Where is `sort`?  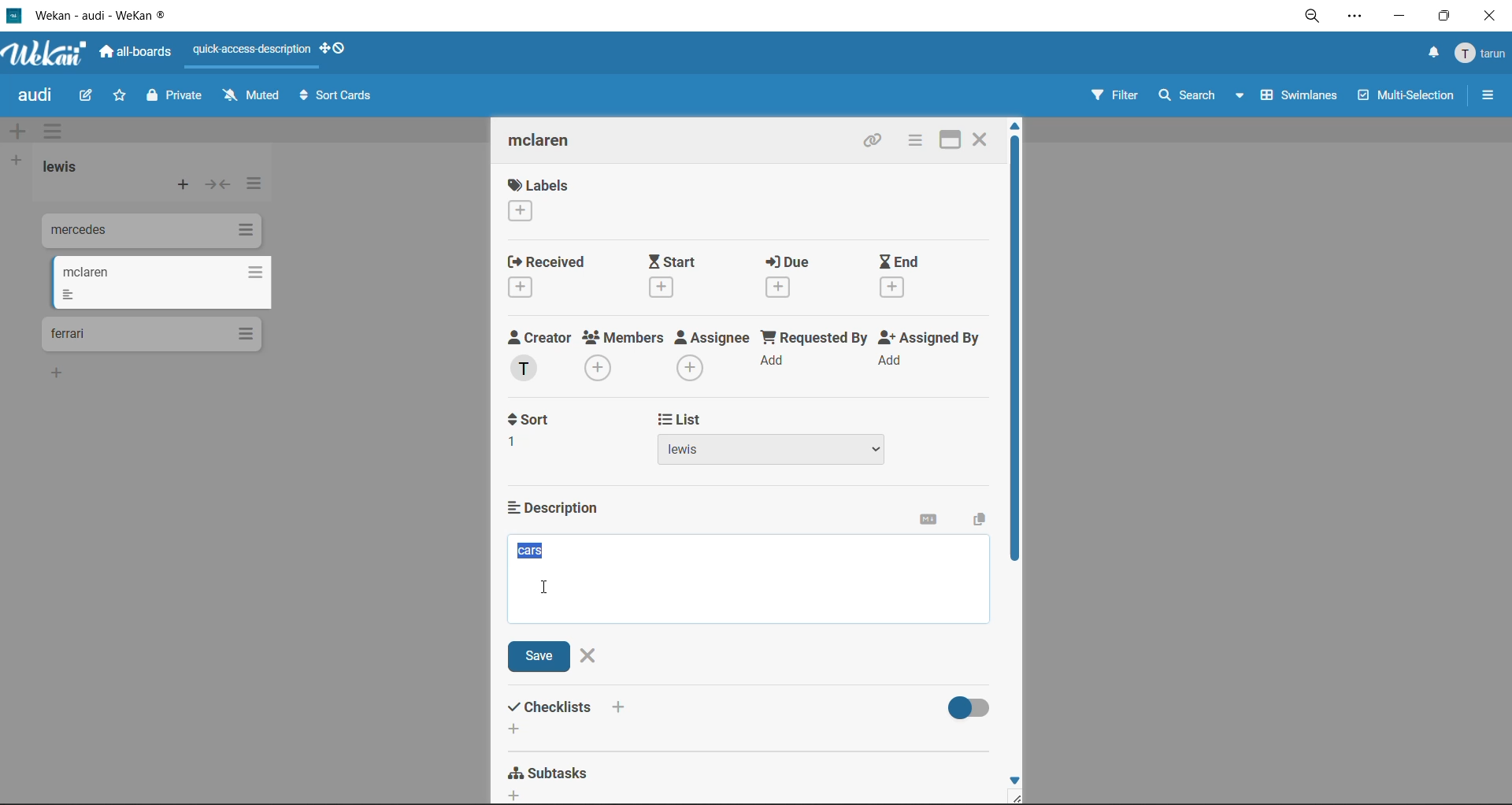
sort is located at coordinates (539, 431).